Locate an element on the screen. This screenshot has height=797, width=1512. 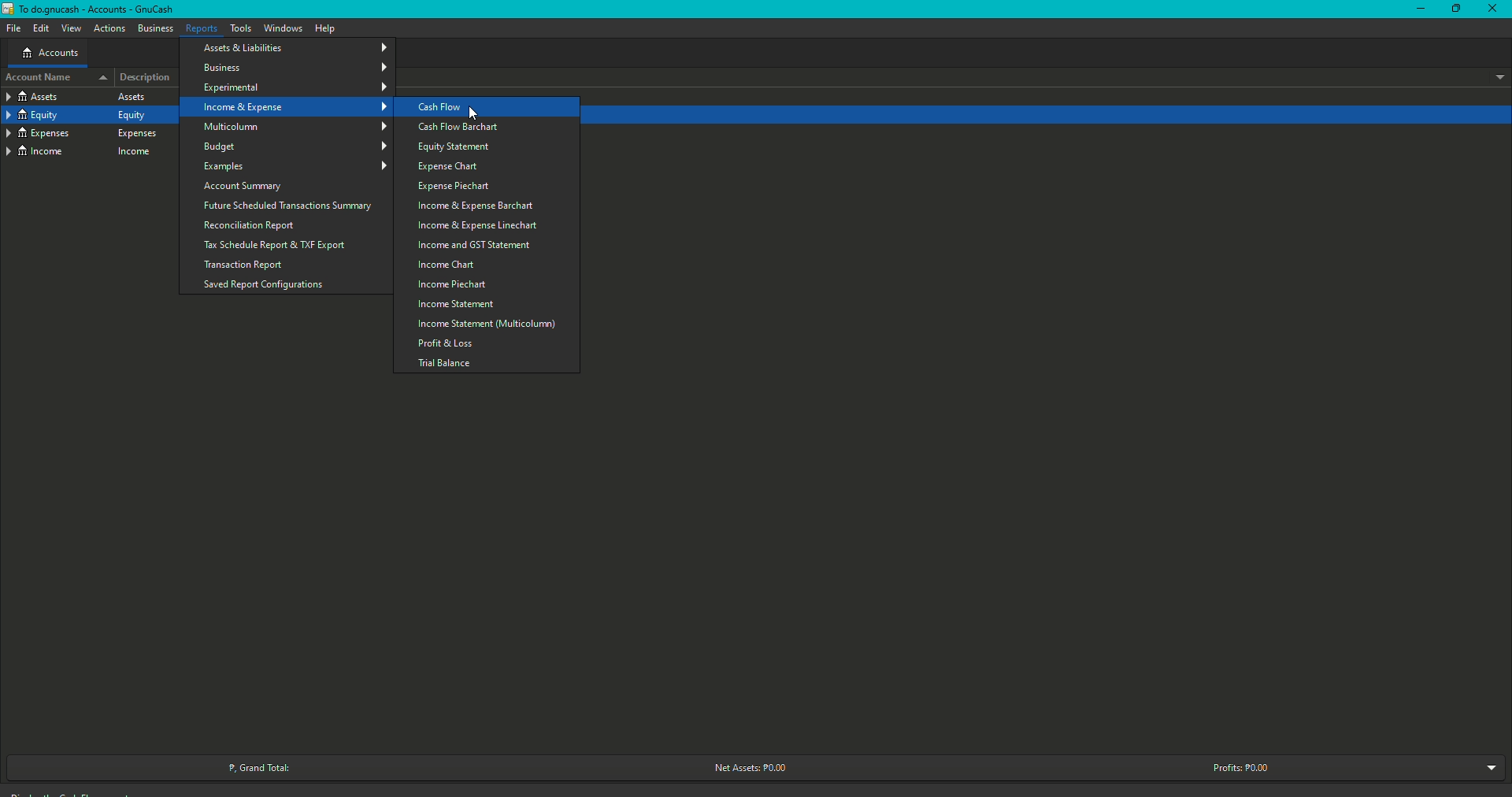
Multicolum is located at coordinates (298, 127).